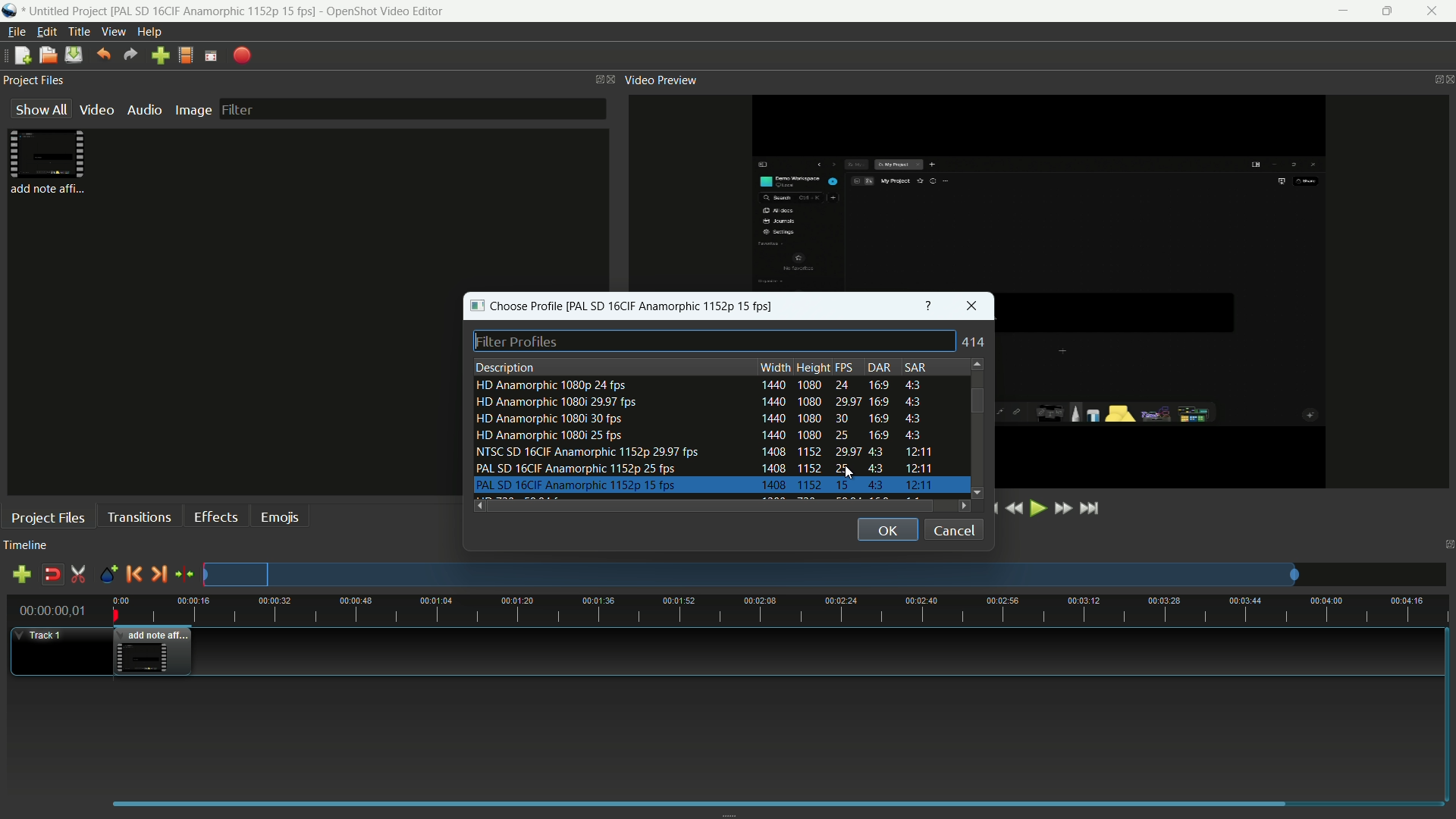 The image size is (1456, 819). Describe the element at coordinates (388, 11) in the screenshot. I see `app name` at that location.